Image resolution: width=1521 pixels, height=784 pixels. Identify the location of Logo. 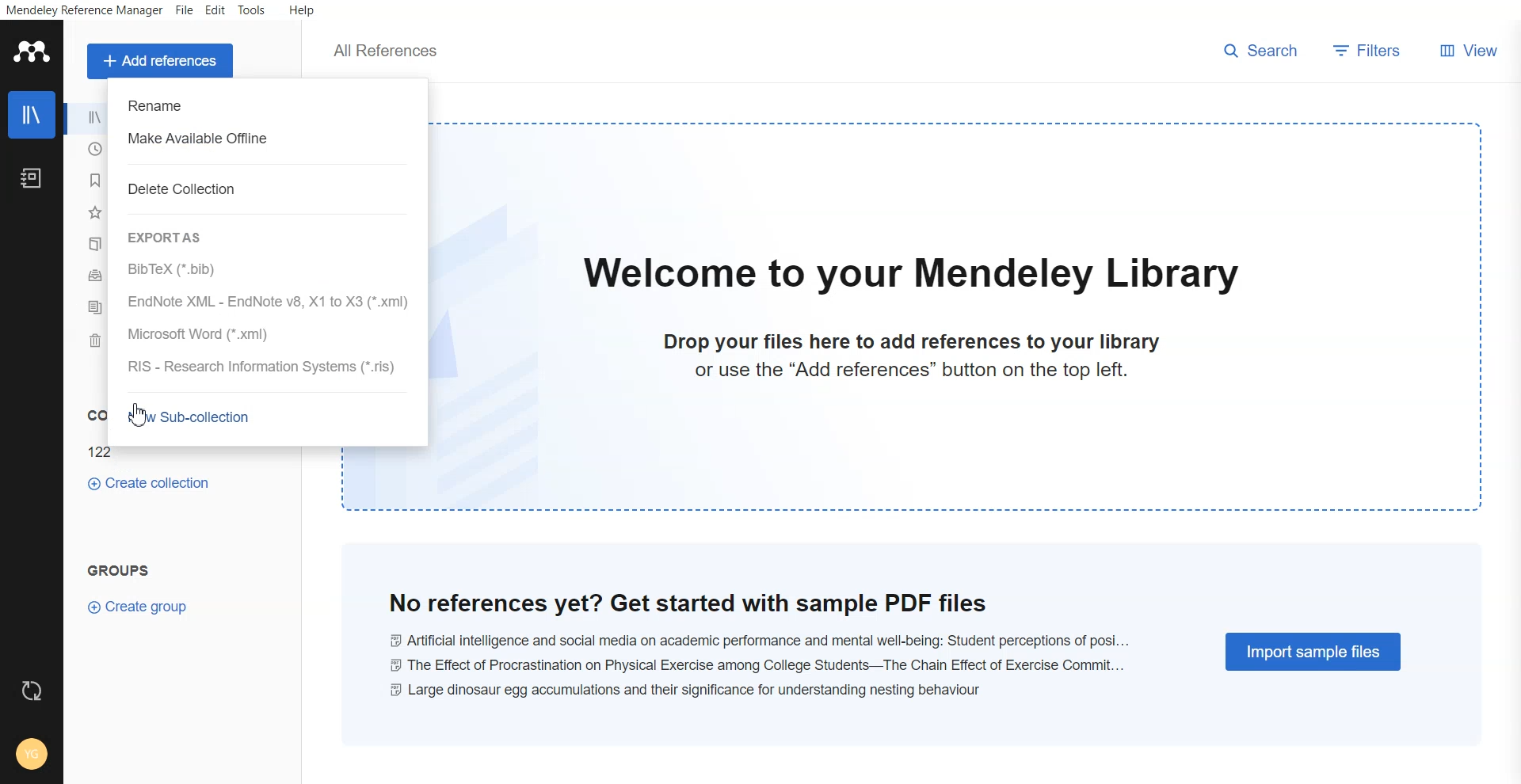
(32, 51).